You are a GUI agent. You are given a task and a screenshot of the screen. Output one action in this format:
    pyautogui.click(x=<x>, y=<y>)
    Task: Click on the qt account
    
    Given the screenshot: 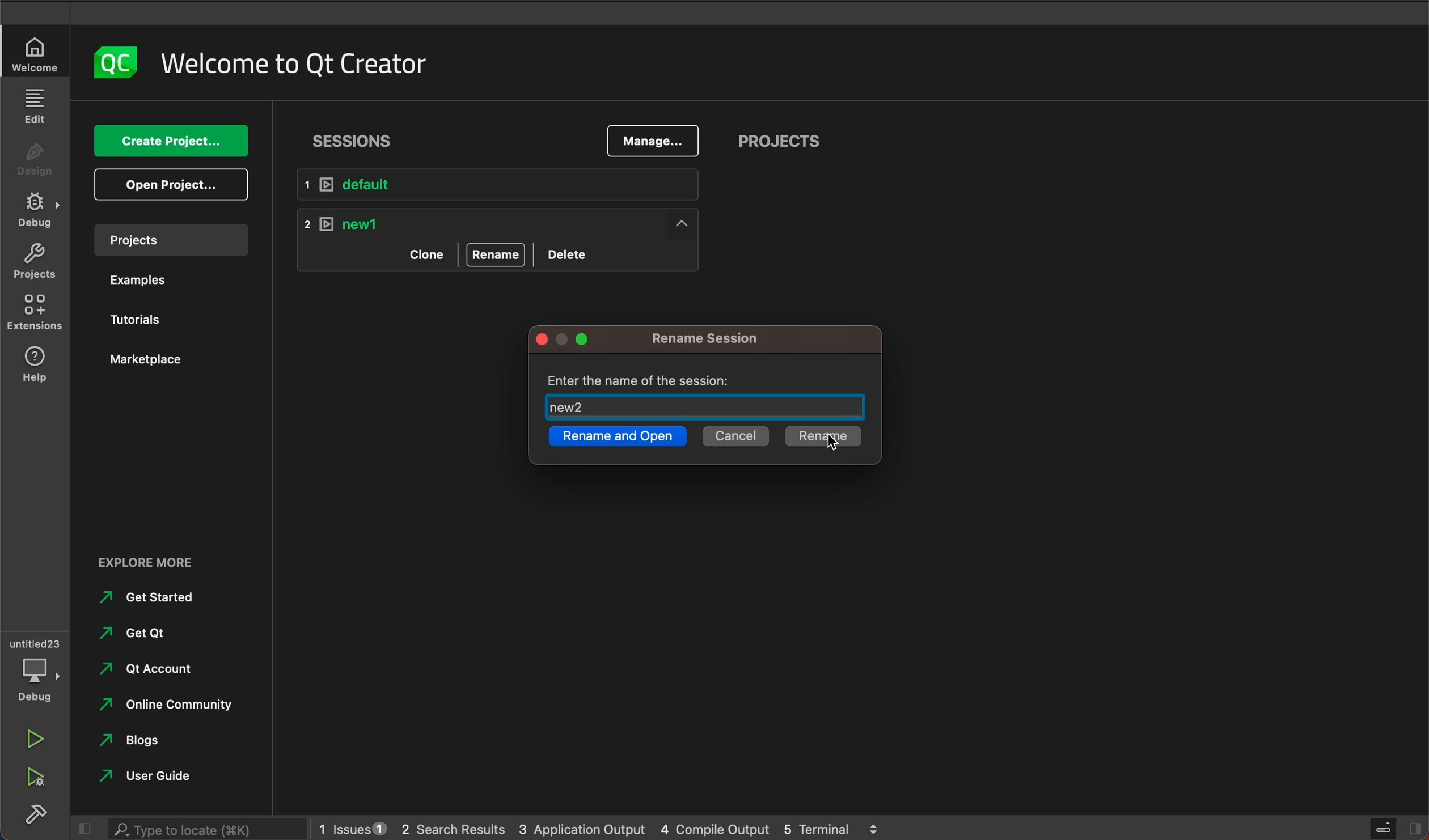 What is the action you would take?
    pyautogui.click(x=157, y=667)
    